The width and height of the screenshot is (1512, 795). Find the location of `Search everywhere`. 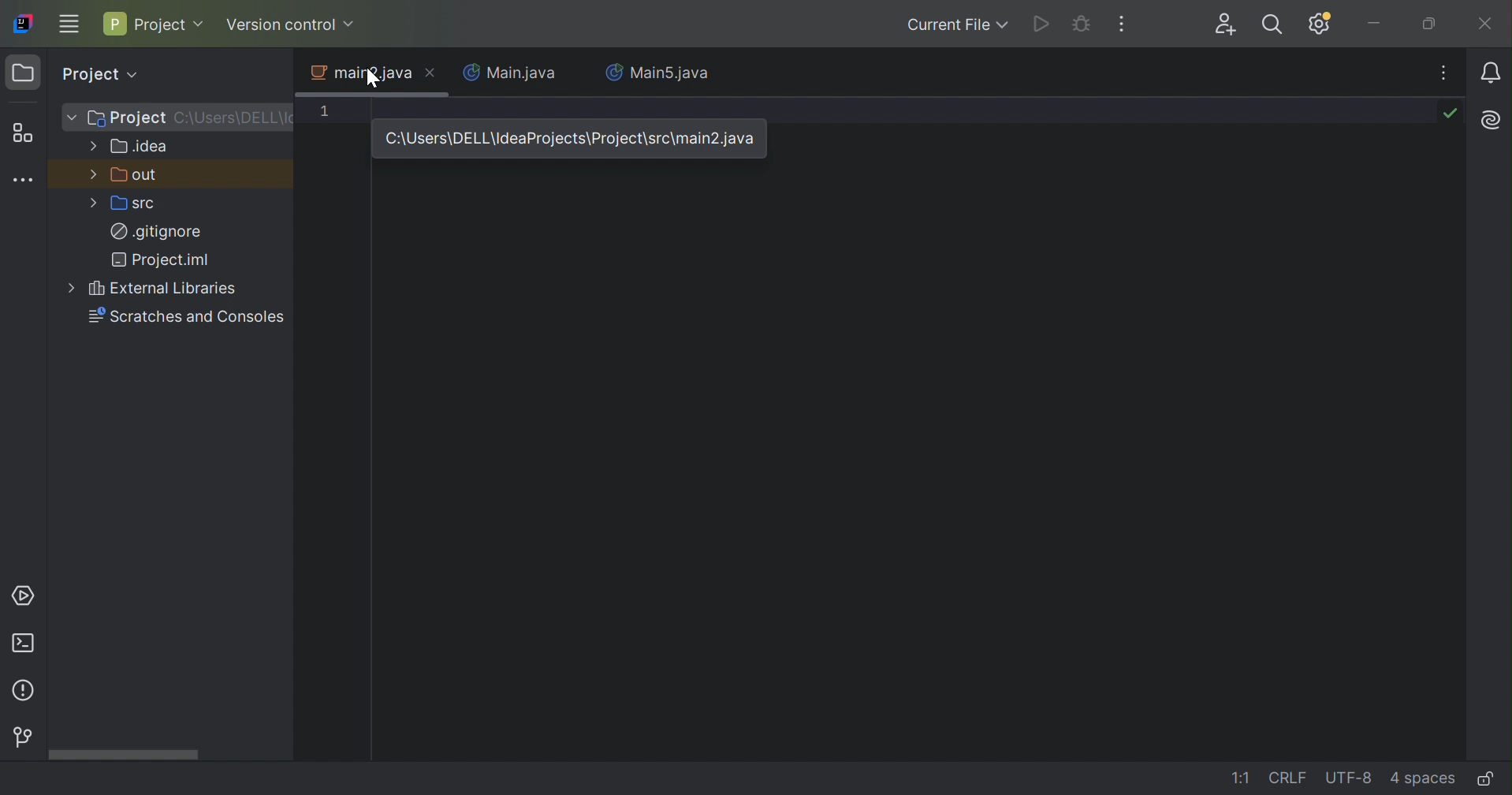

Search everywhere is located at coordinates (1273, 24).